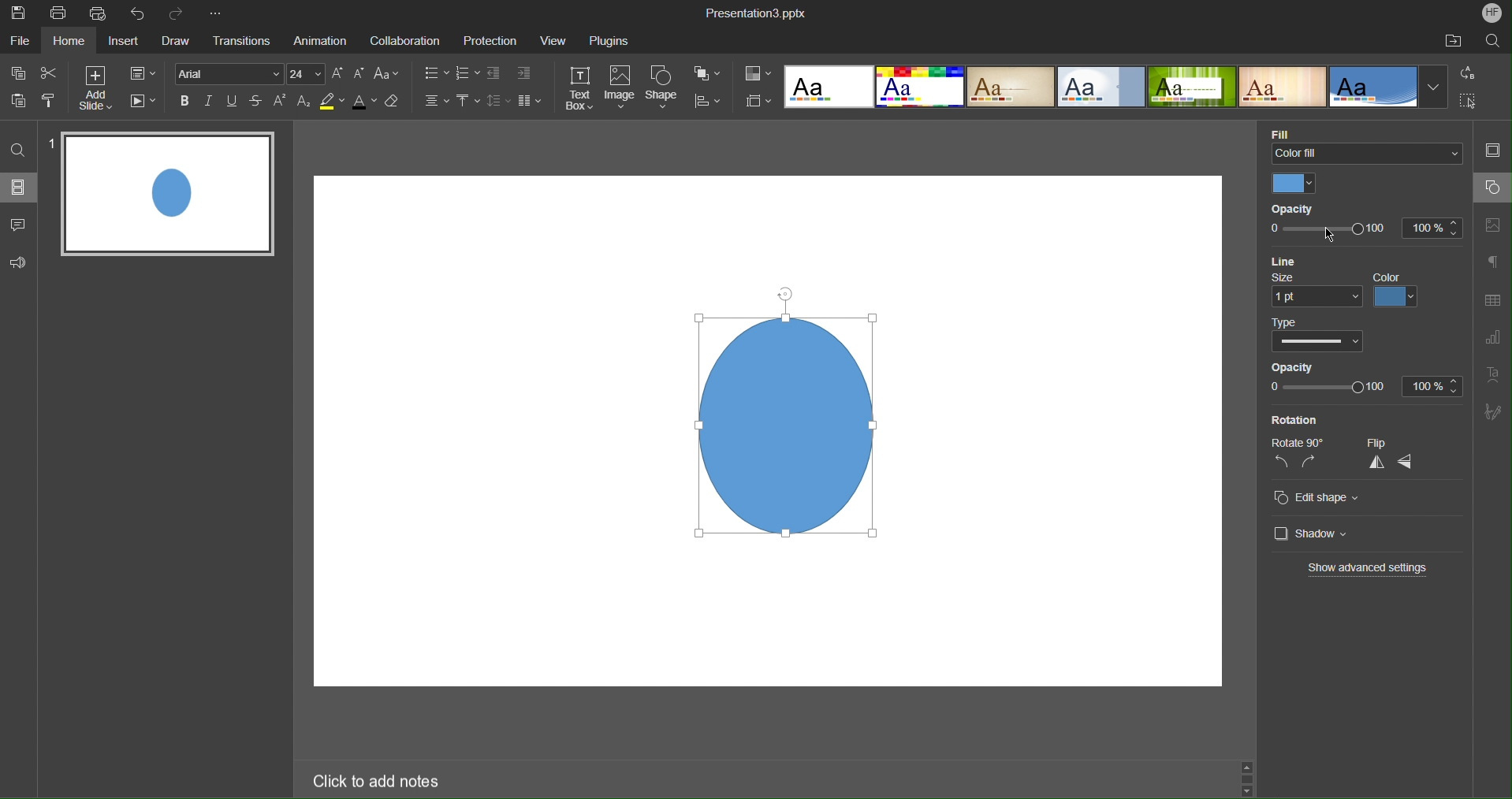 The height and width of the screenshot is (799, 1512). What do you see at coordinates (184, 102) in the screenshot?
I see `Bold` at bounding box center [184, 102].